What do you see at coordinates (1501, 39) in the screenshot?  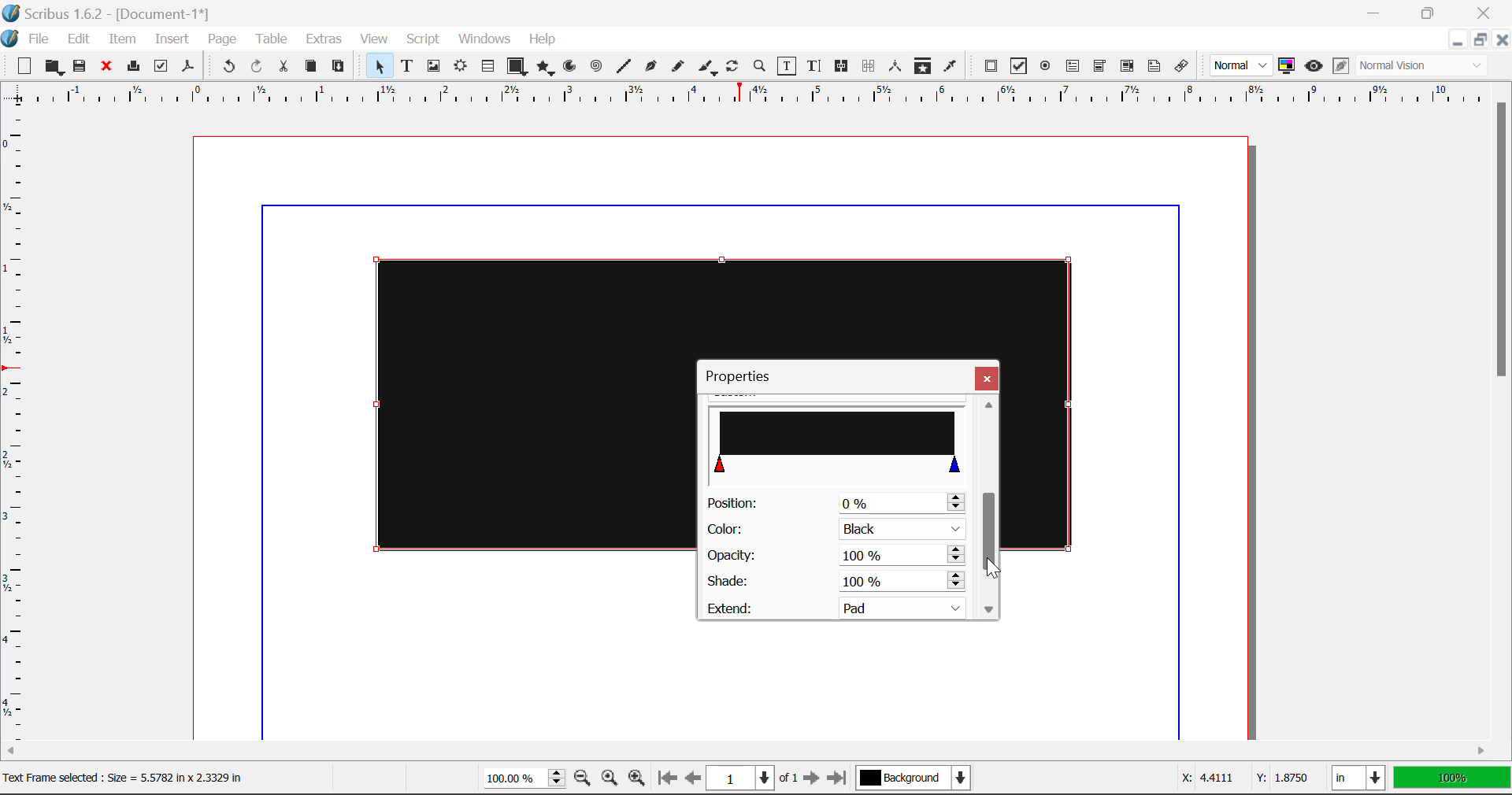 I see `Close` at bounding box center [1501, 39].